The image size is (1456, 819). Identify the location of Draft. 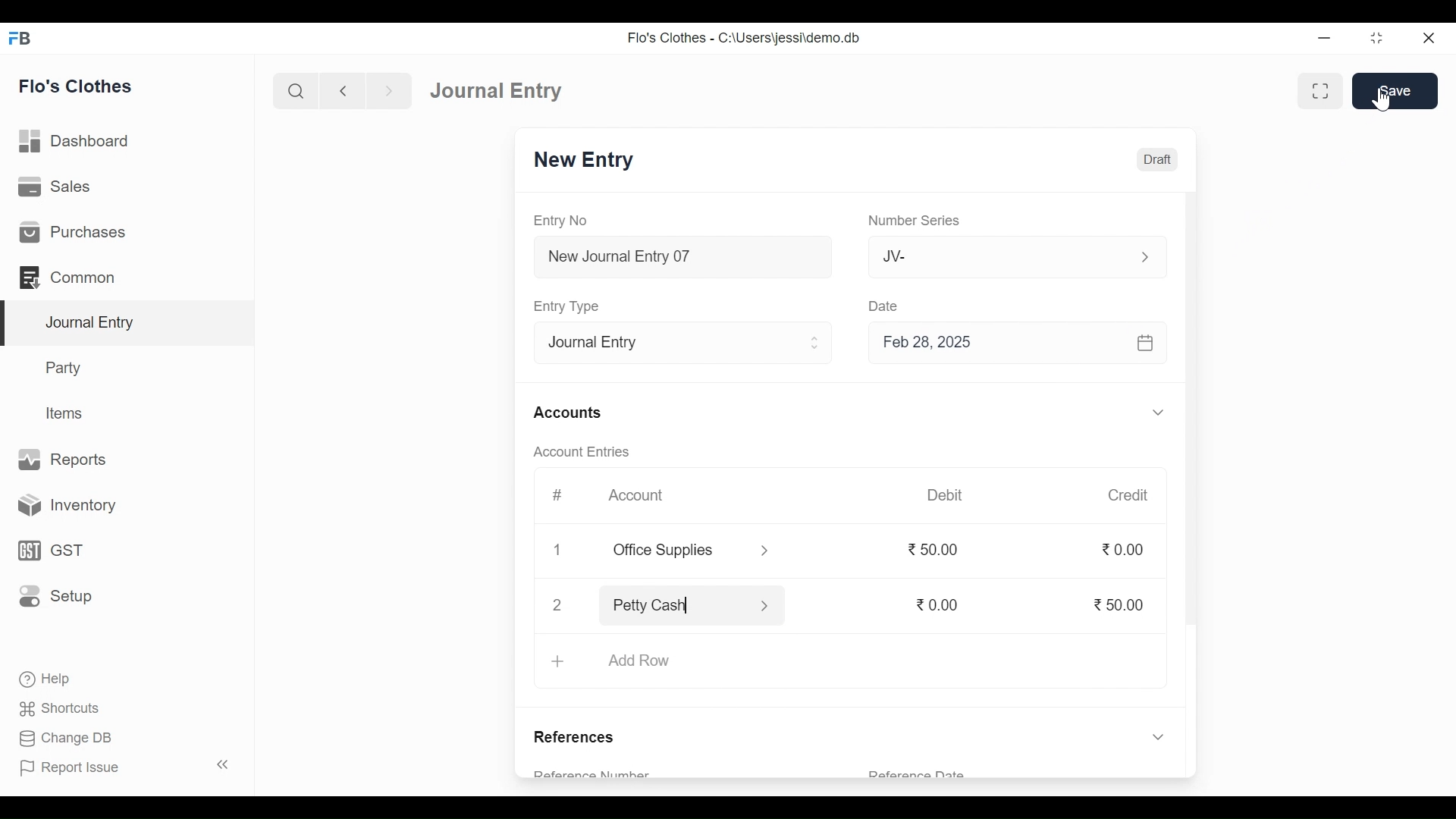
(1154, 160).